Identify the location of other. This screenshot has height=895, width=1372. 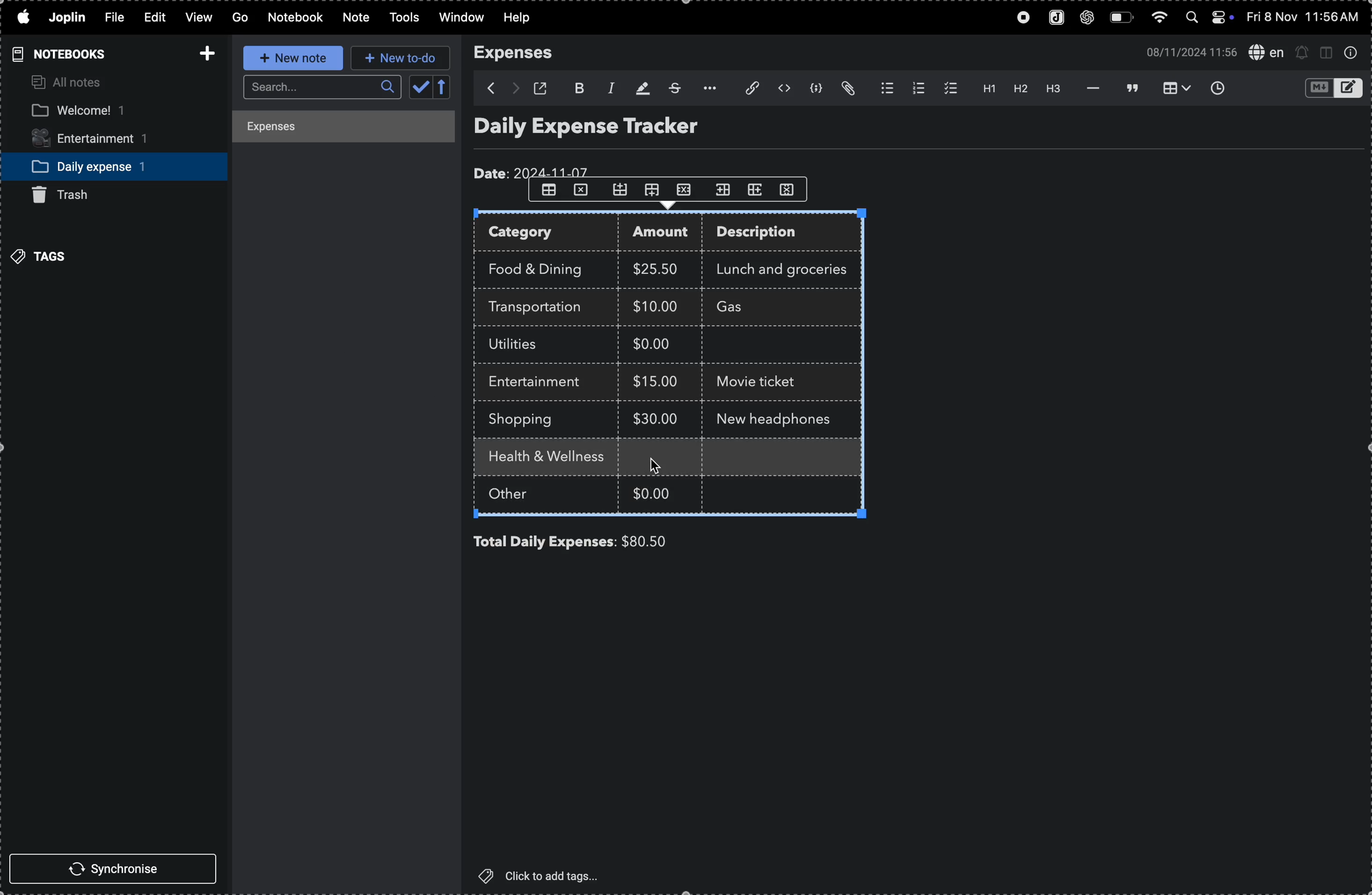
(522, 496).